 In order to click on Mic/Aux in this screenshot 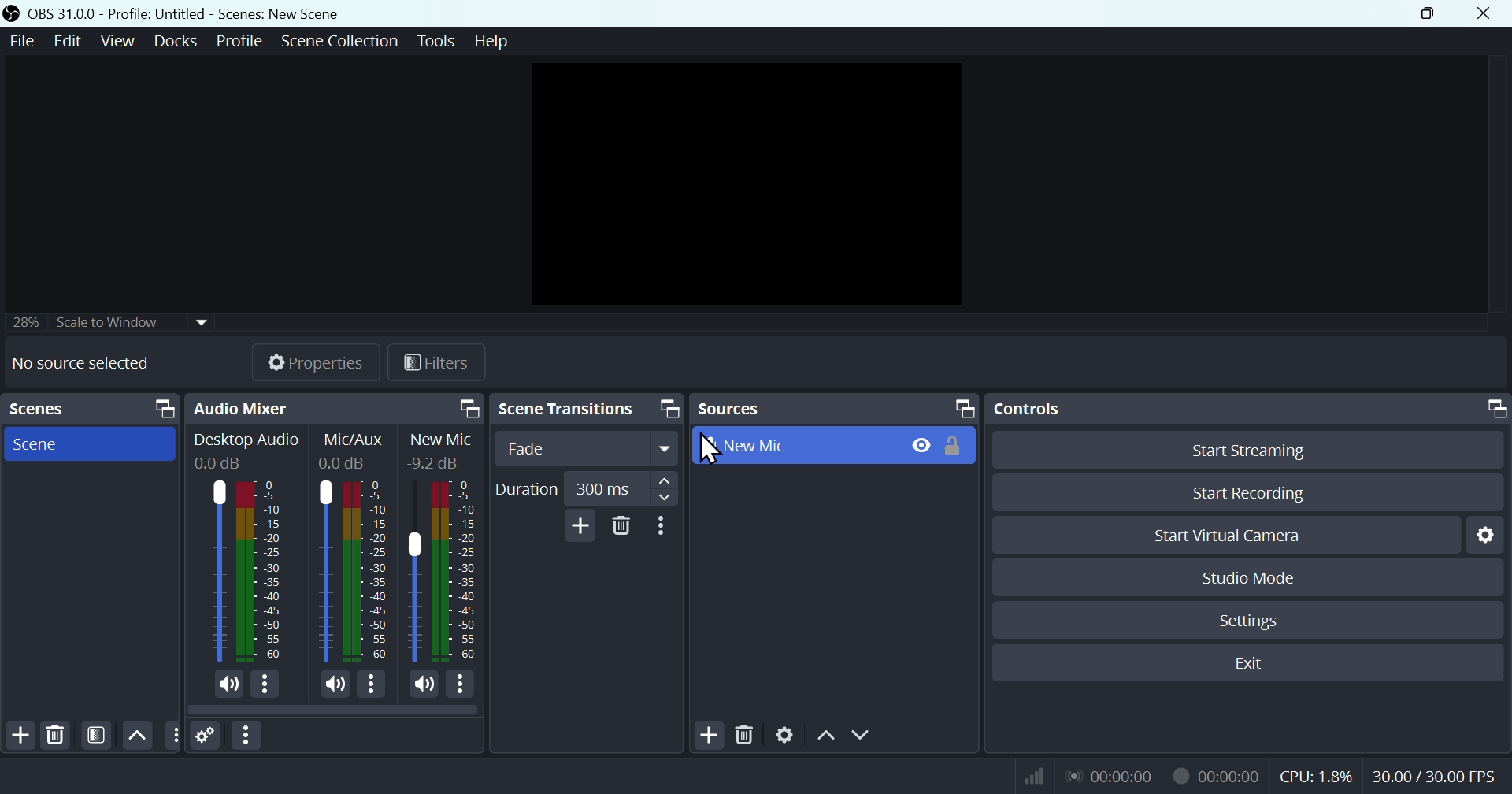, I will do `click(356, 440)`.